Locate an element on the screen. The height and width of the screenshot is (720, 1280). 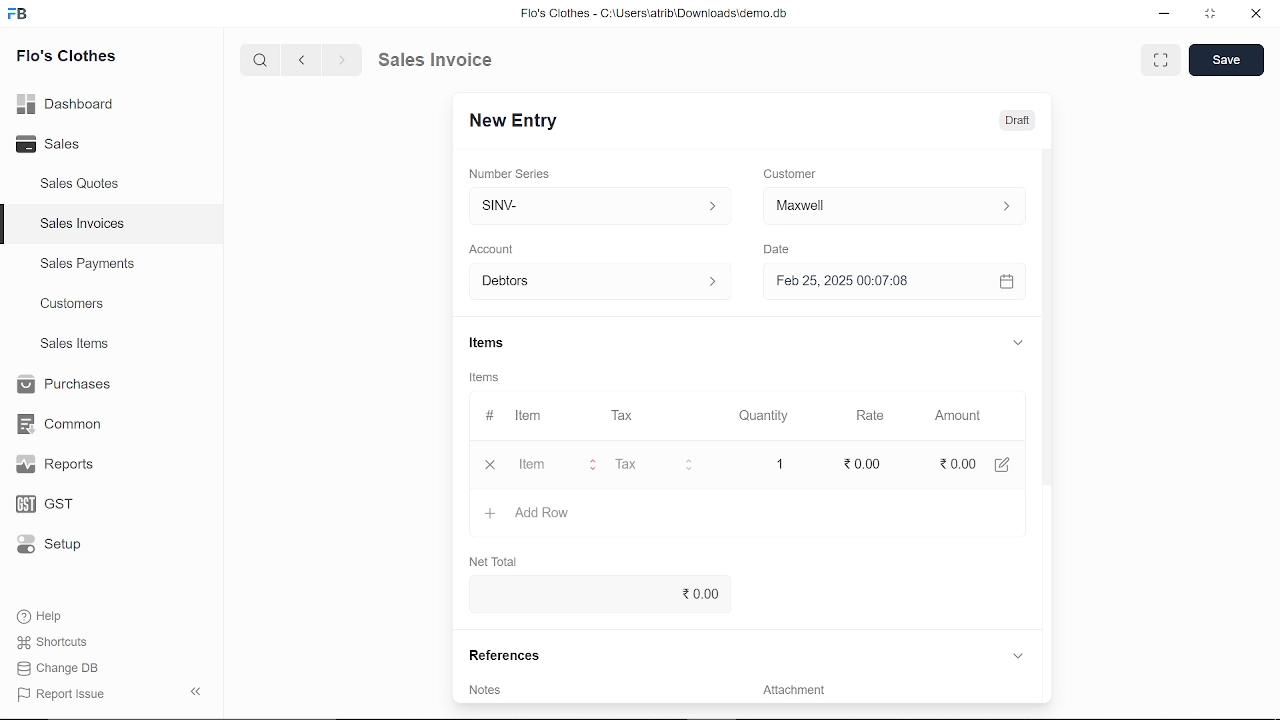
0.00 is located at coordinates (955, 463).